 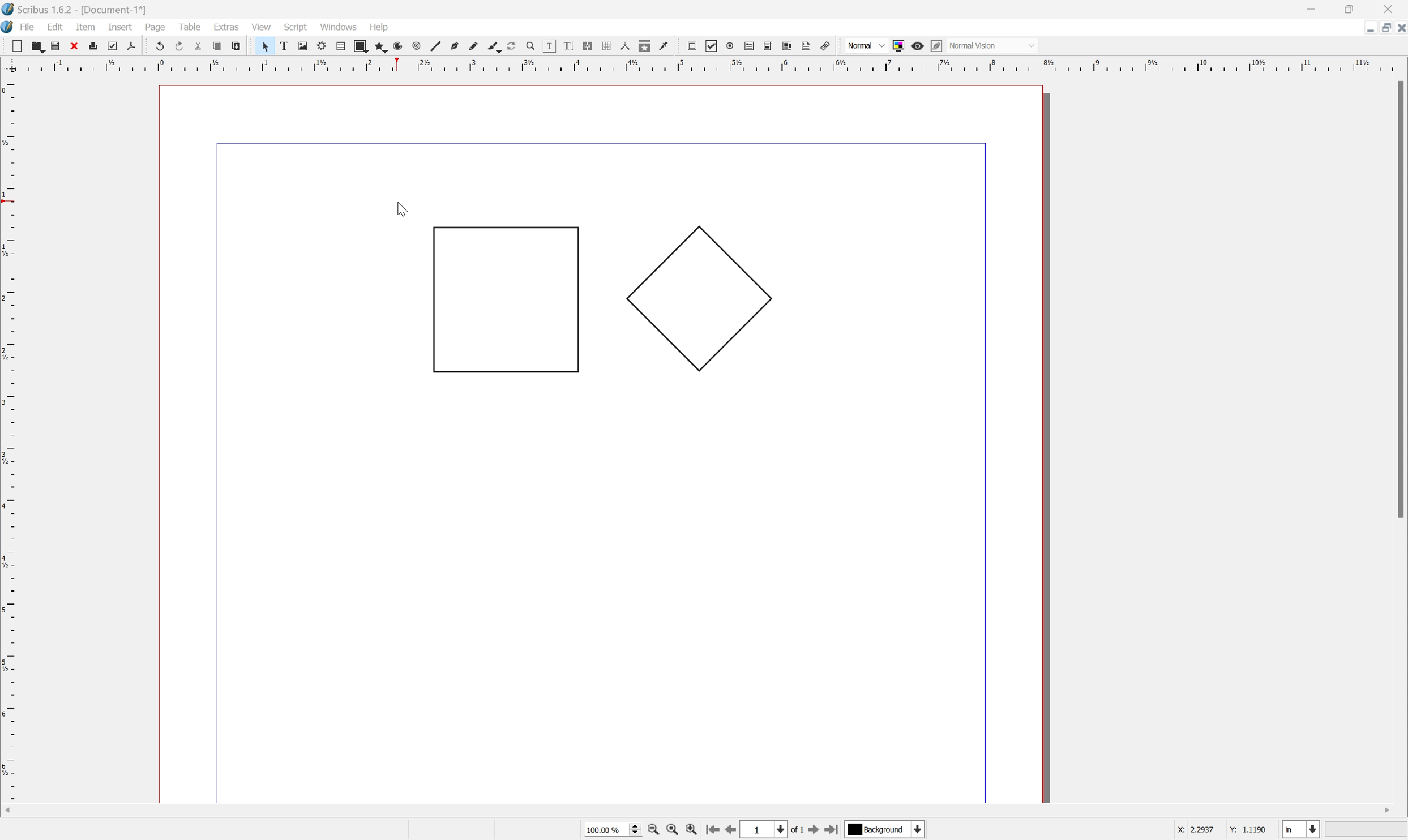 What do you see at coordinates (785, 45) in the screenshot?
I see `PDF list box` at bounding box center [785, 45].